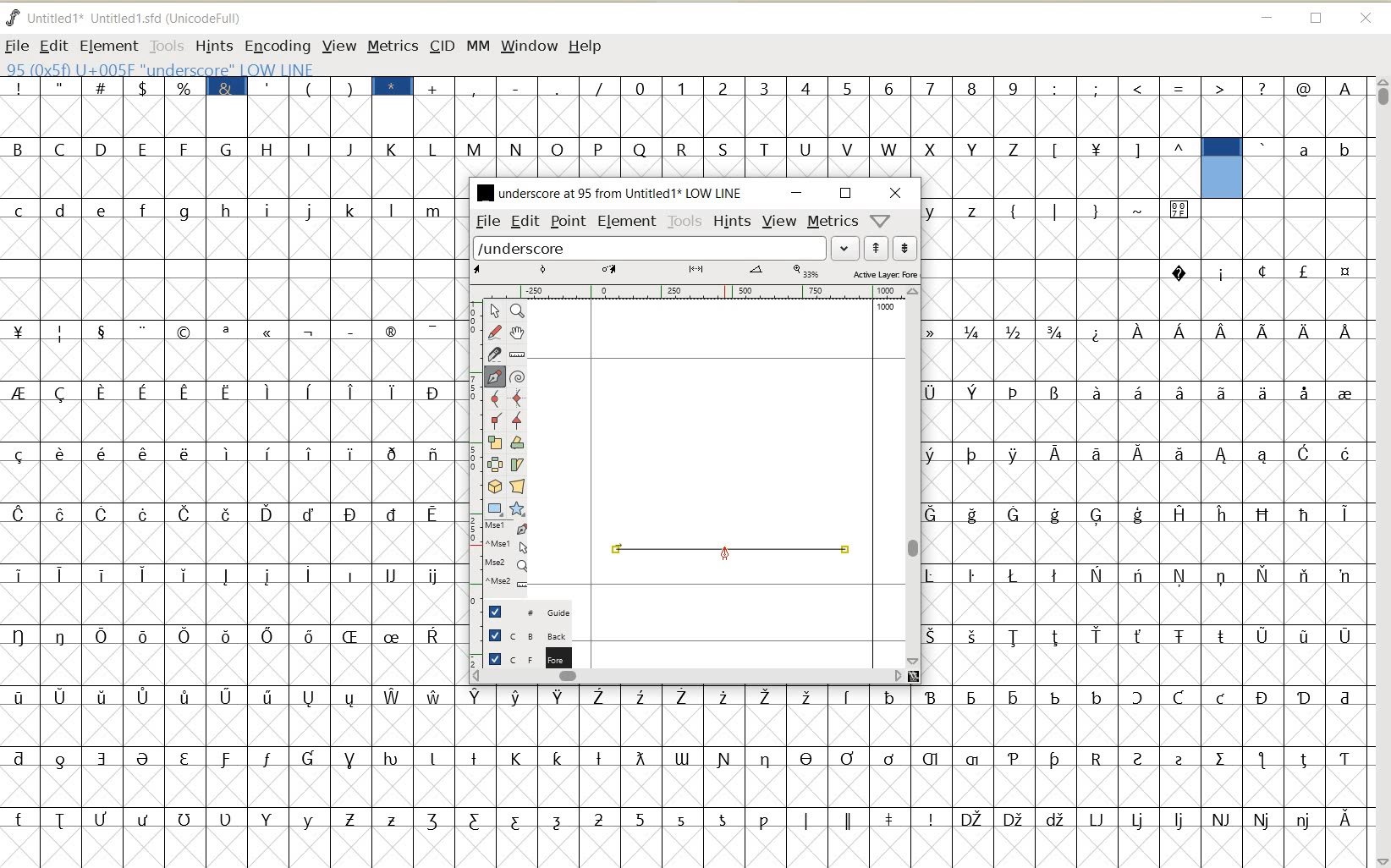 Image resolution: width=1391 pixels, height=868 pixels. I want to click on perform a perspective transformation on the selection, so click(517, 486).